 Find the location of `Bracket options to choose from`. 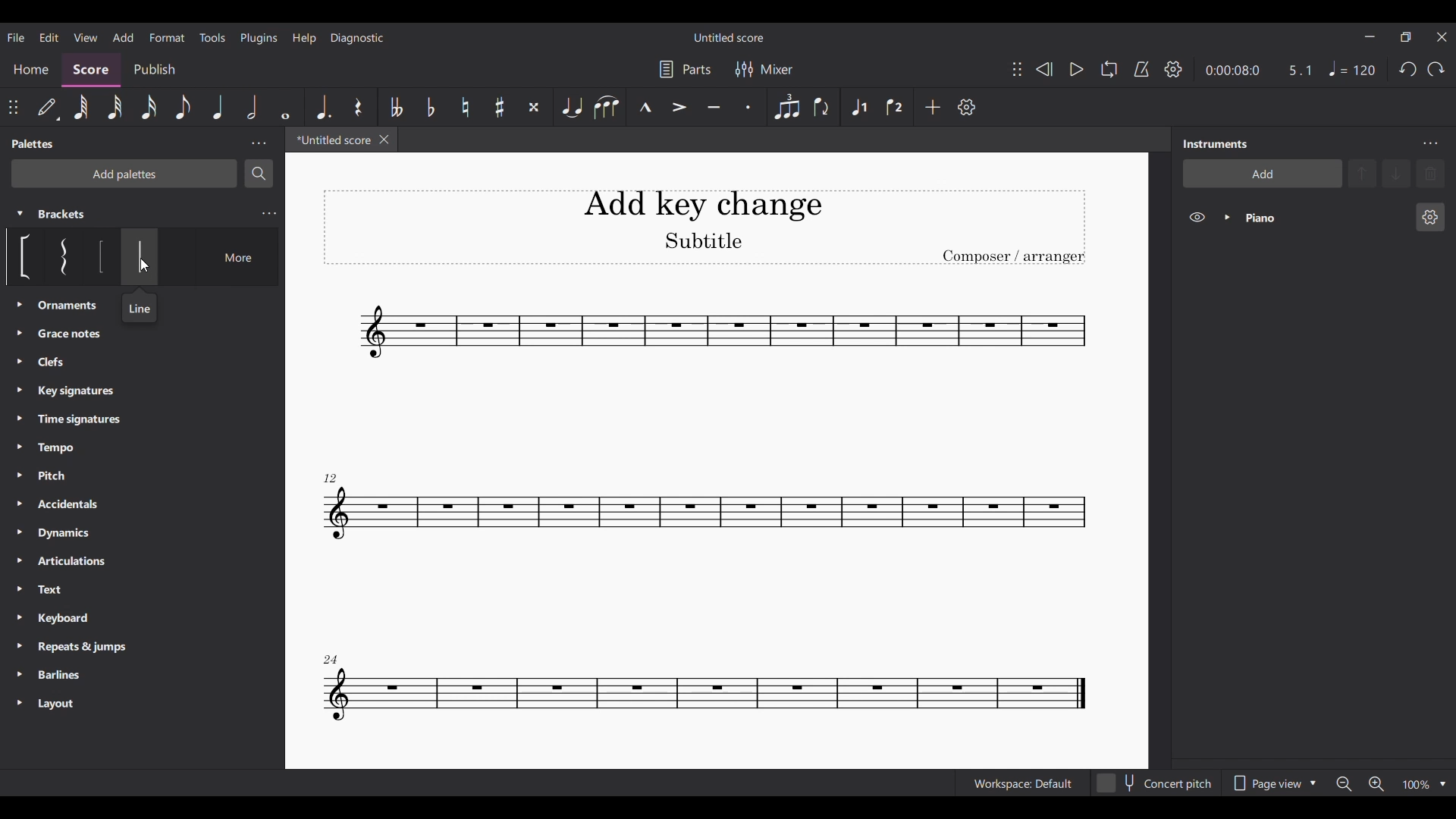

Bracket options to choose from is located at coordinates (143, 256).